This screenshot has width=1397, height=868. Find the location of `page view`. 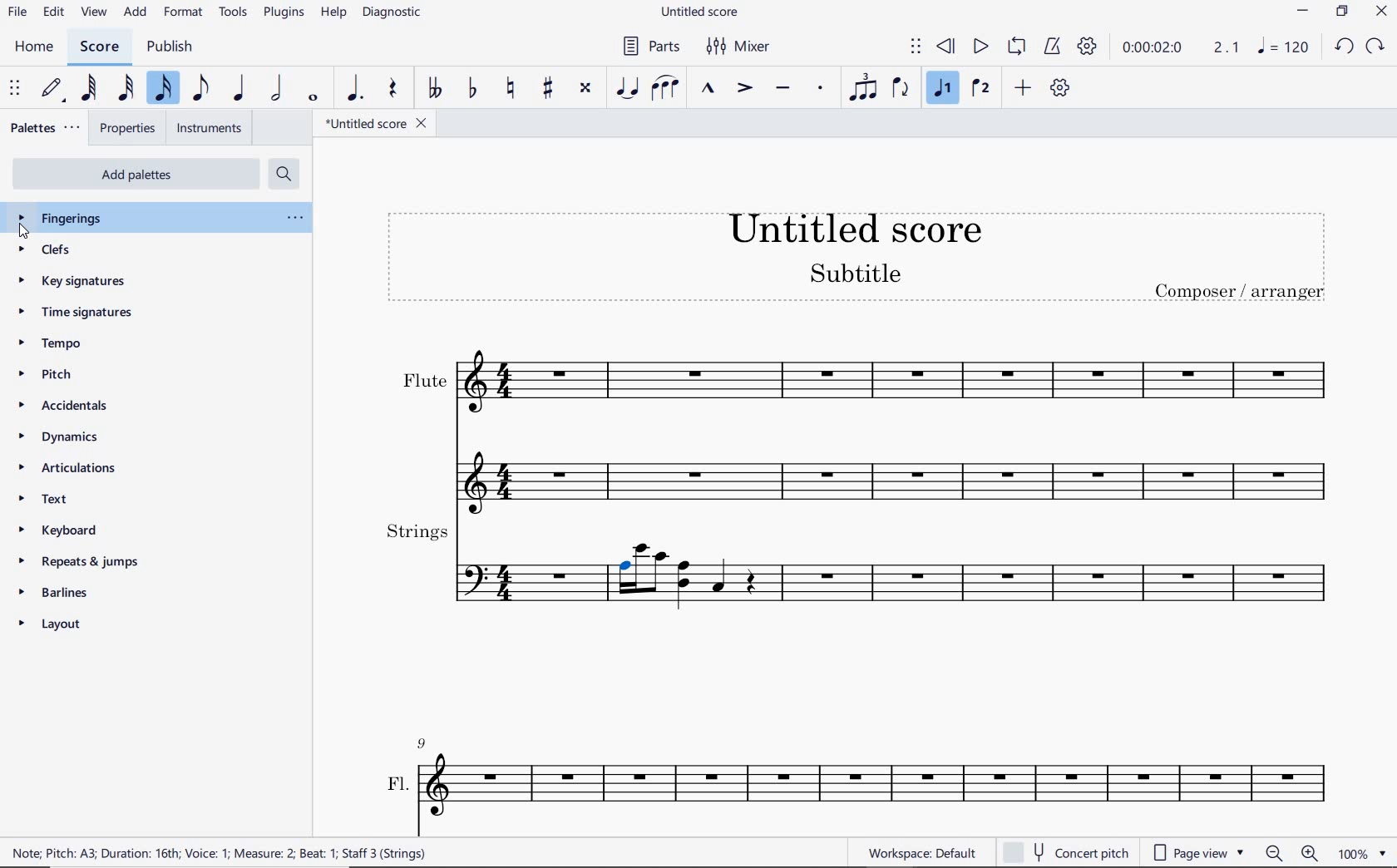

page view is located at coordinates (1198, 851).